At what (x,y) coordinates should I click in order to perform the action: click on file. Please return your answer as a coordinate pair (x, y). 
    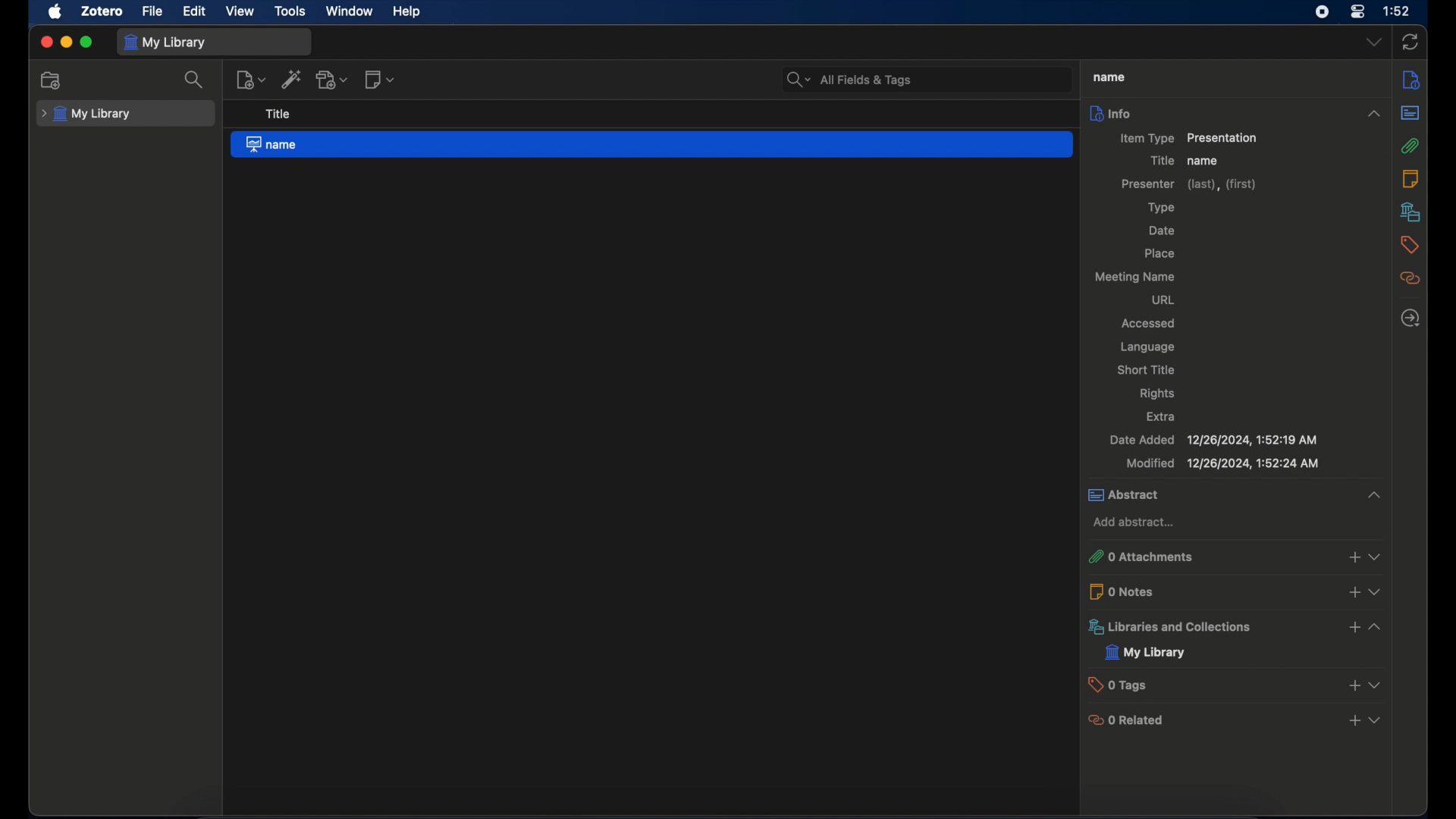
    Looking at the image, I should click on (152, 11).